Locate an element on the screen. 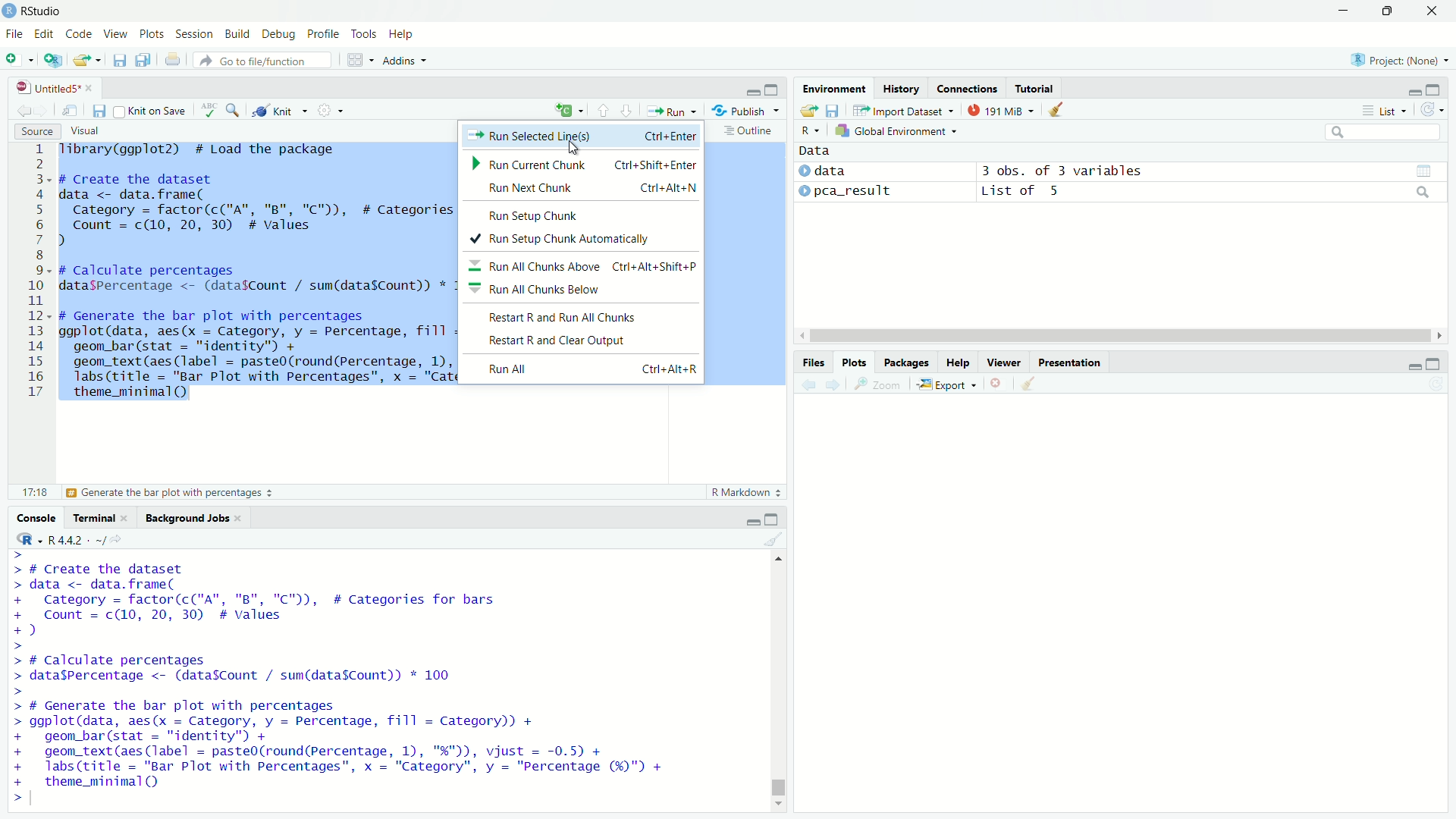  Debug is located at coordinates (282, 35).